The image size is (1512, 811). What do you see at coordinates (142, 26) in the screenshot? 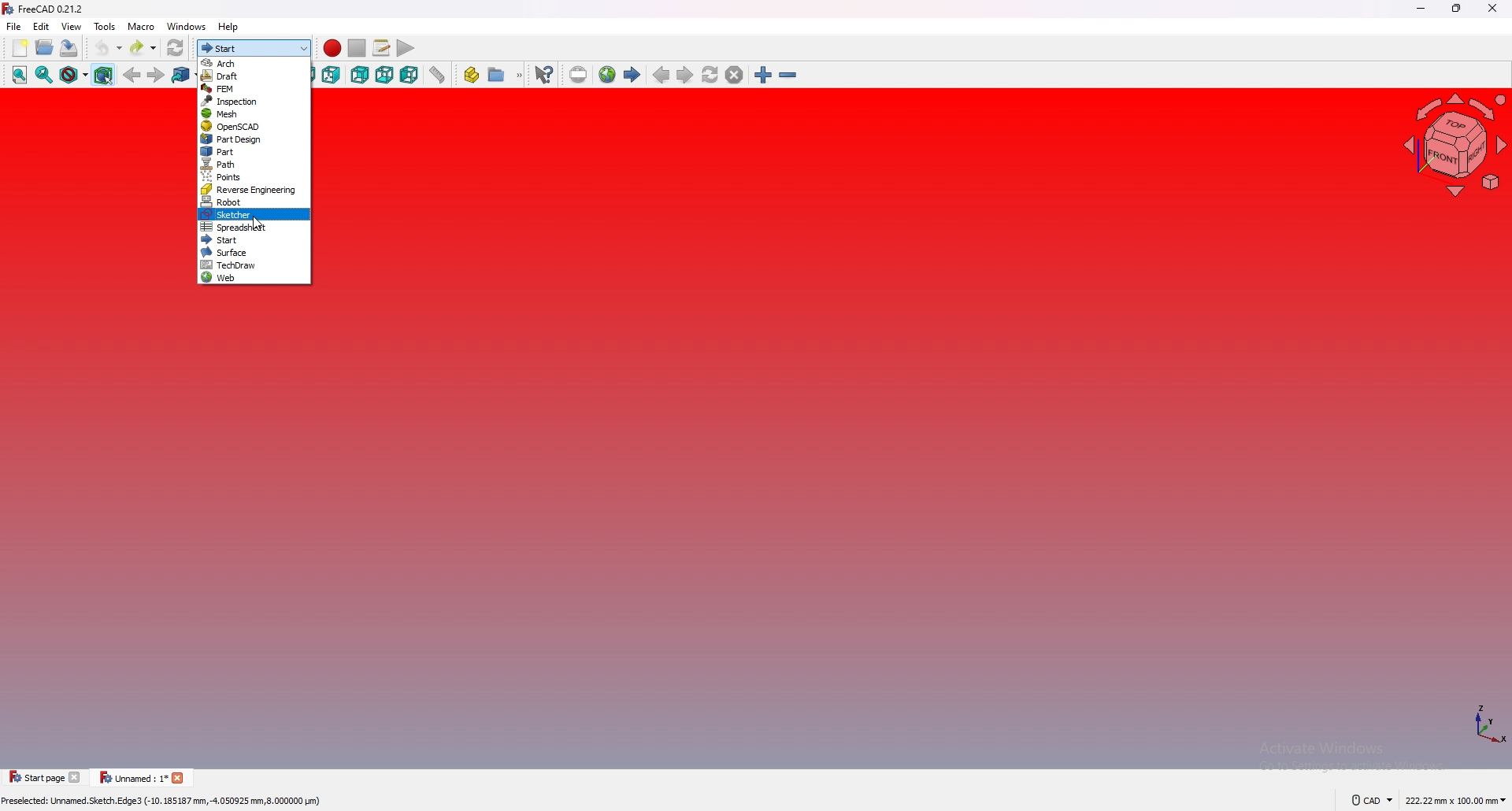
I see `macro` at bounding box center [142, 26].